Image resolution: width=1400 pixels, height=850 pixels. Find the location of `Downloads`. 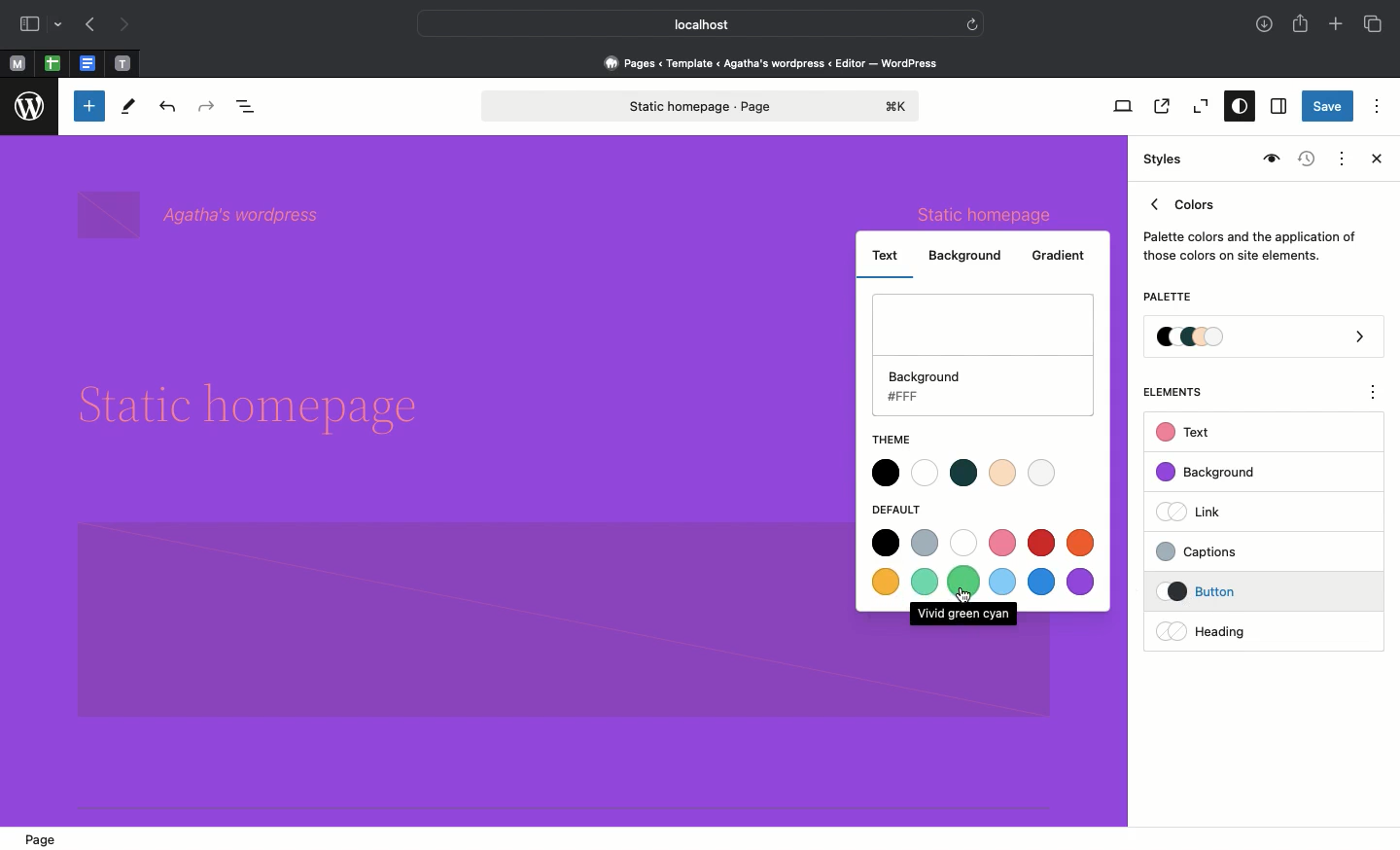

Downloads is located at coordinates (1266, 26).